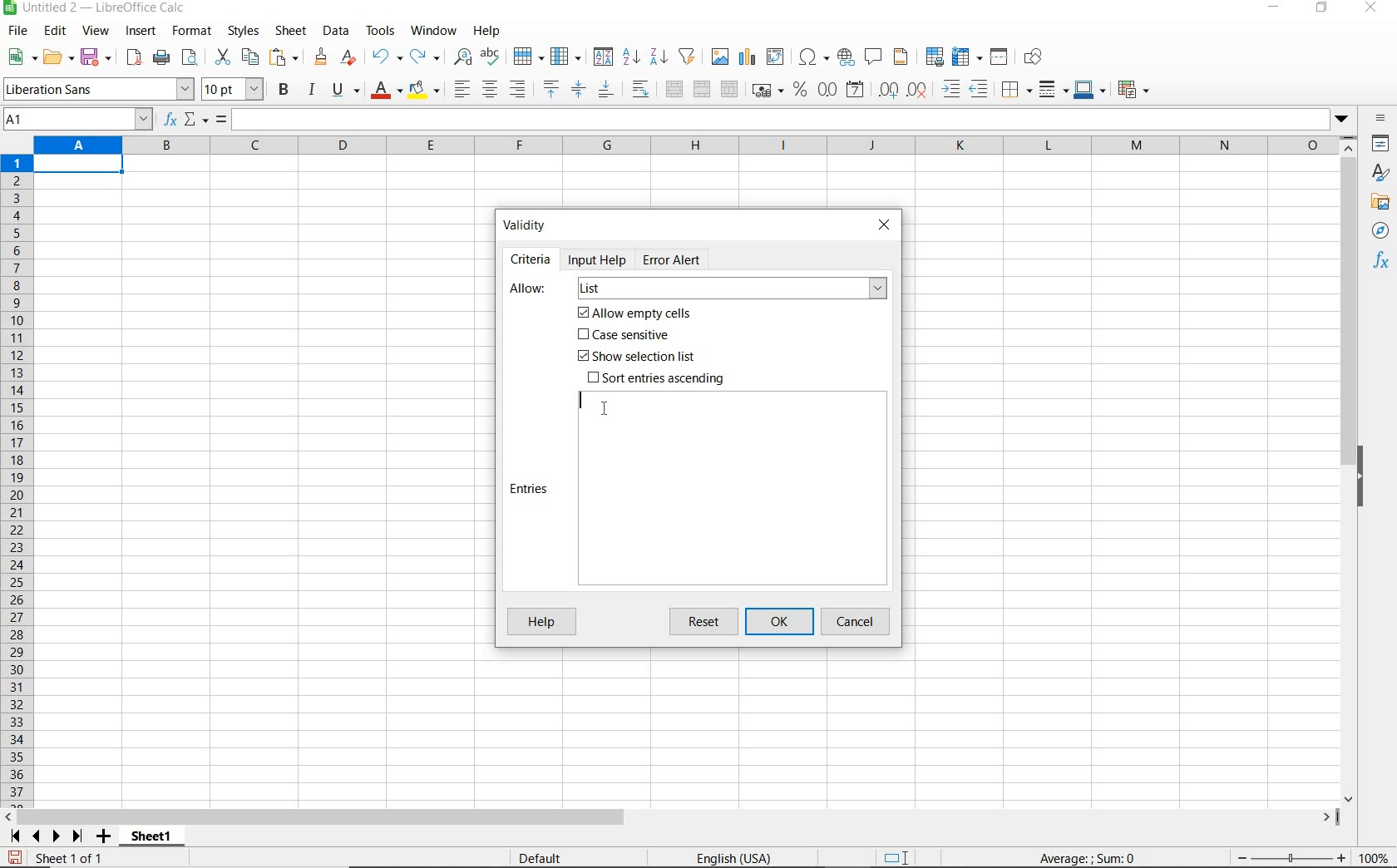 The width and height of the screenshot is (1397, 868). What do you see at coordinates (22, 57) in the screenshot?
I see `new` at bounding box center [22, 57].